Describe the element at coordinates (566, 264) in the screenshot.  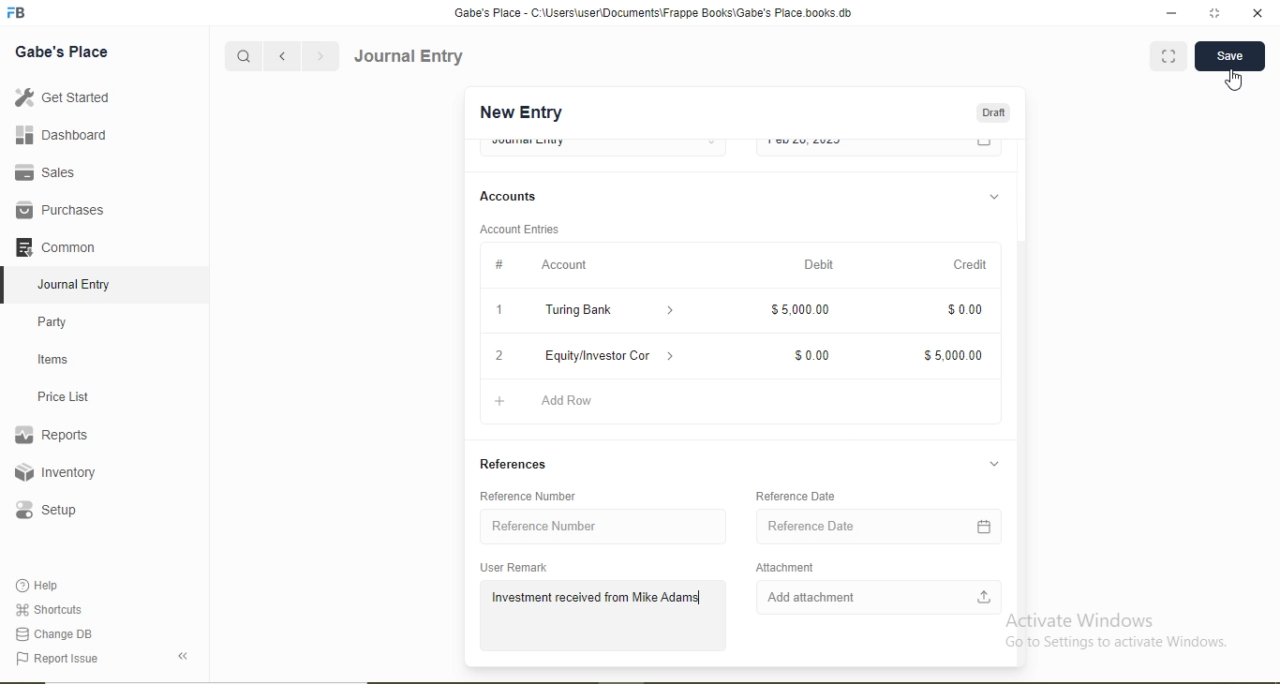
I see `Account` at that location.